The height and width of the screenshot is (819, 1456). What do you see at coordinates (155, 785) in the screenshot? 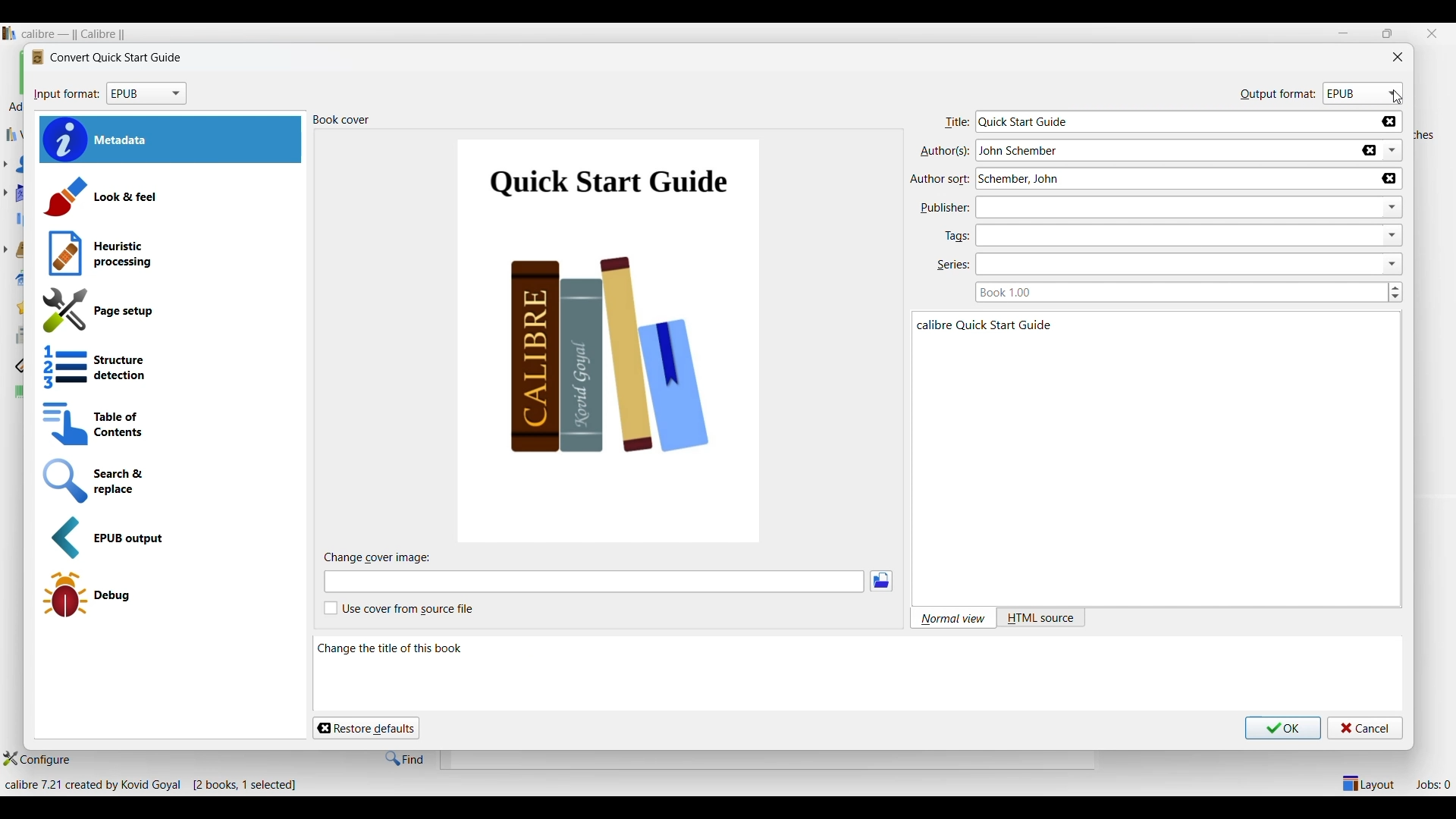
I see `Details of software` at bounding box center [155, 785].